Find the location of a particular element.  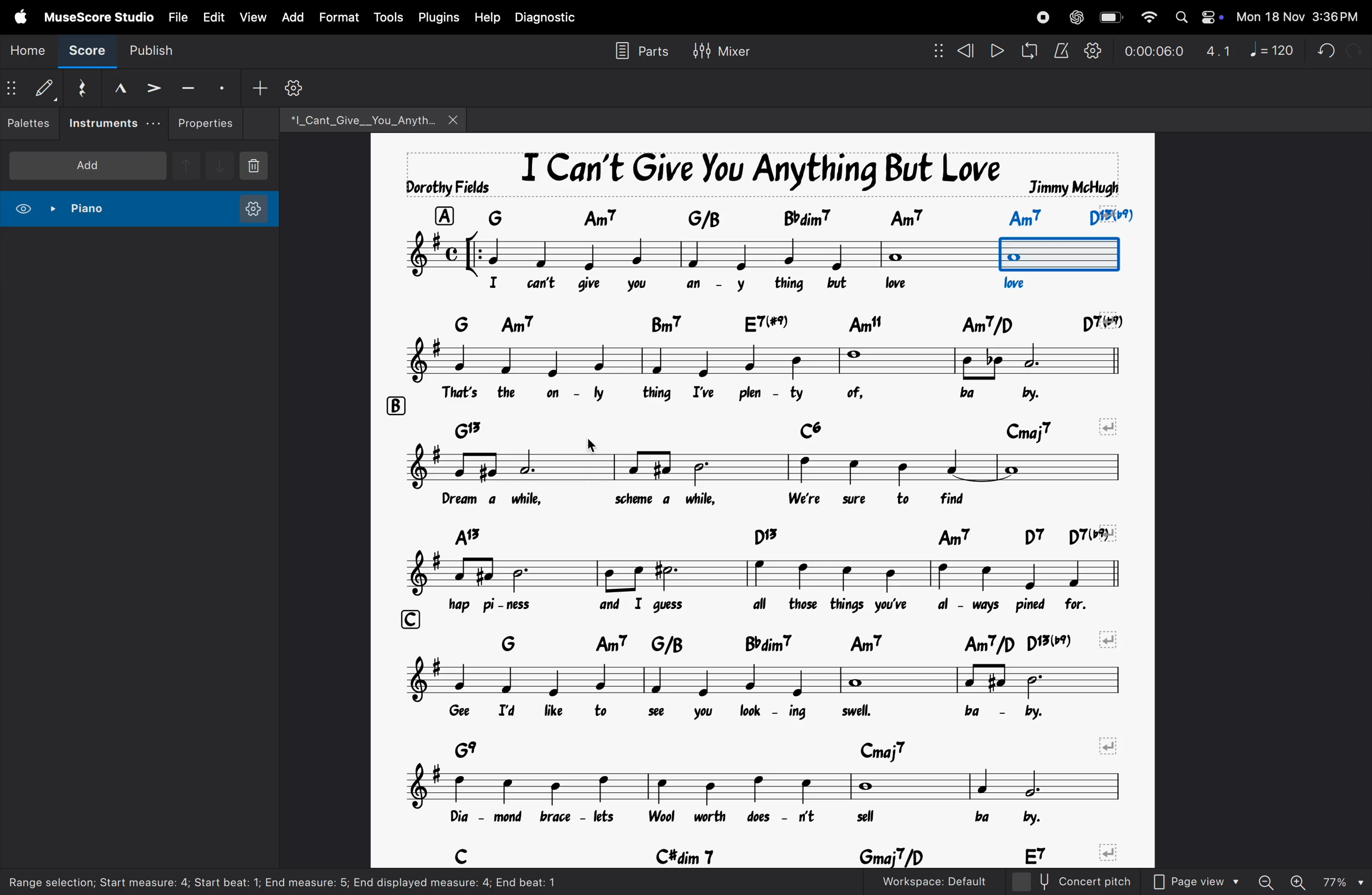

view is located at coordinates (252, 17).